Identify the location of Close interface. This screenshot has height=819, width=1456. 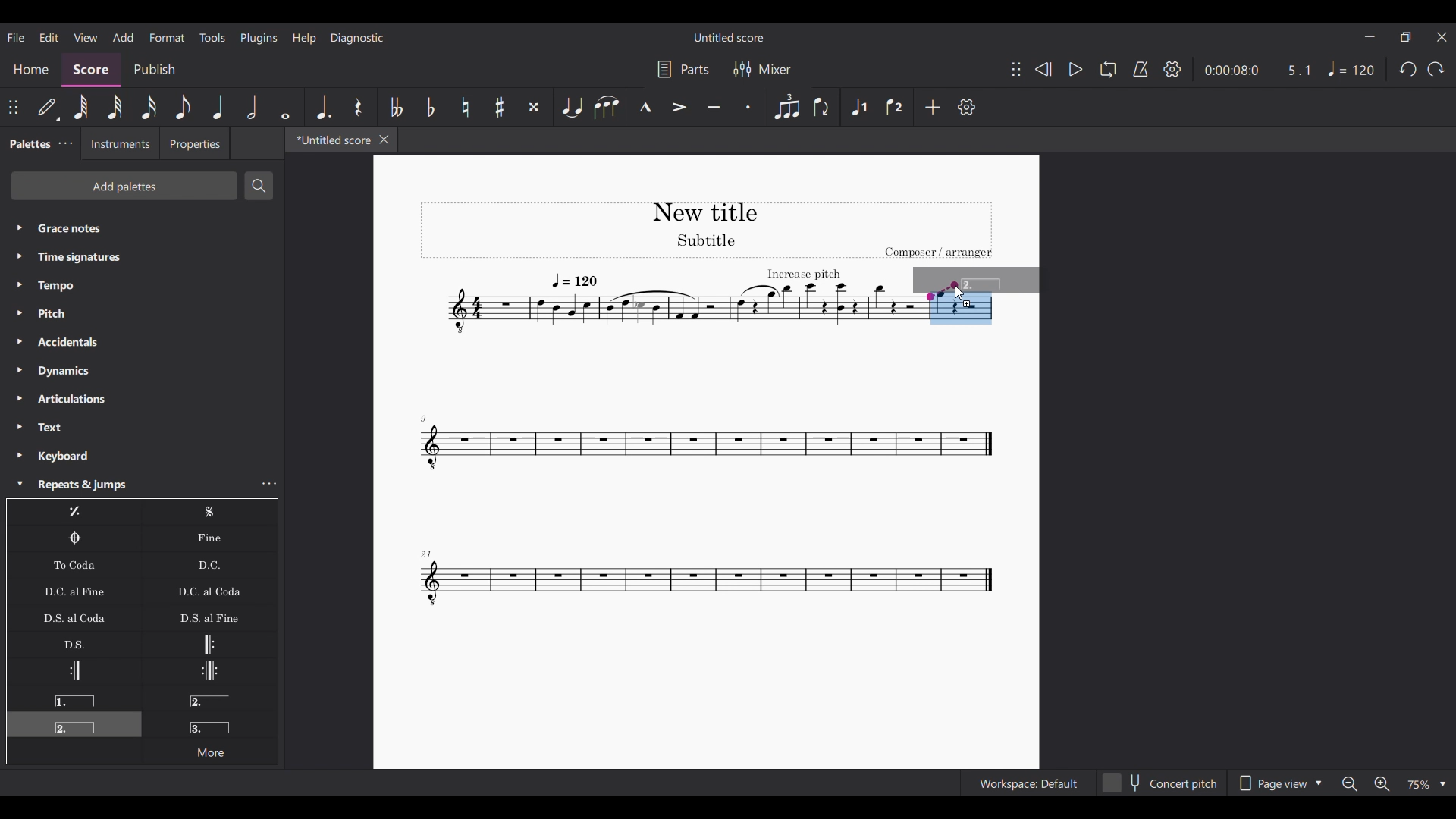
(1442, 37).